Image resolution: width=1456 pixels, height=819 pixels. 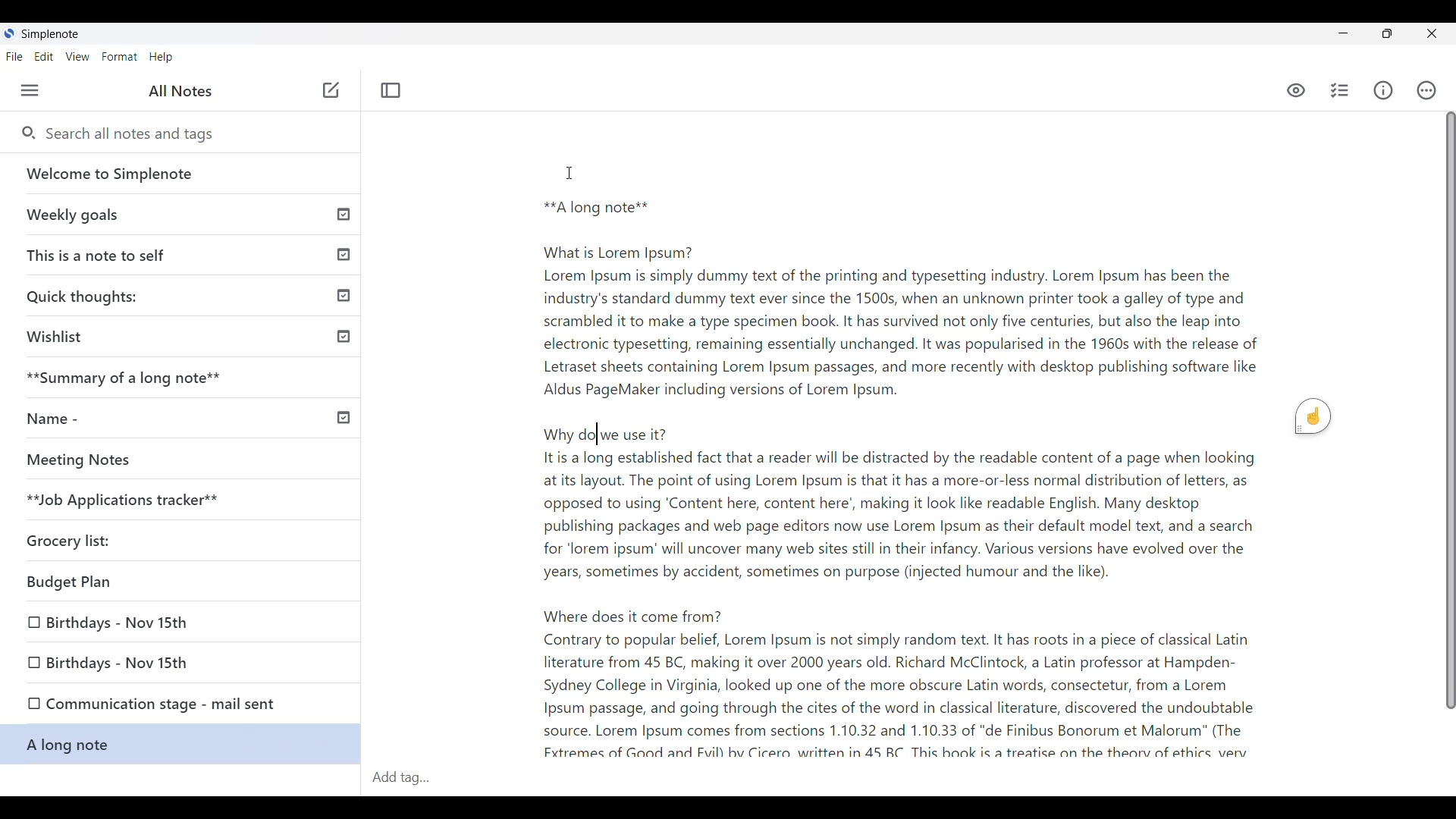 I want to click on Search all notes and tags, so click(x=136, y=134).